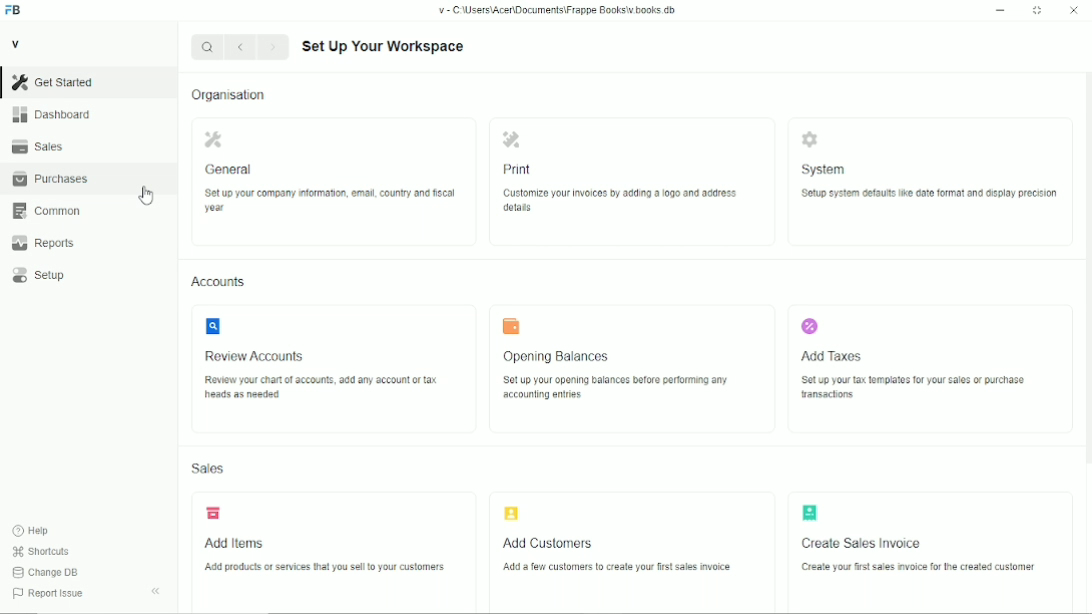 This screenshot has width=1092, height=614. I want to click on ‘General, so click(233, 171).